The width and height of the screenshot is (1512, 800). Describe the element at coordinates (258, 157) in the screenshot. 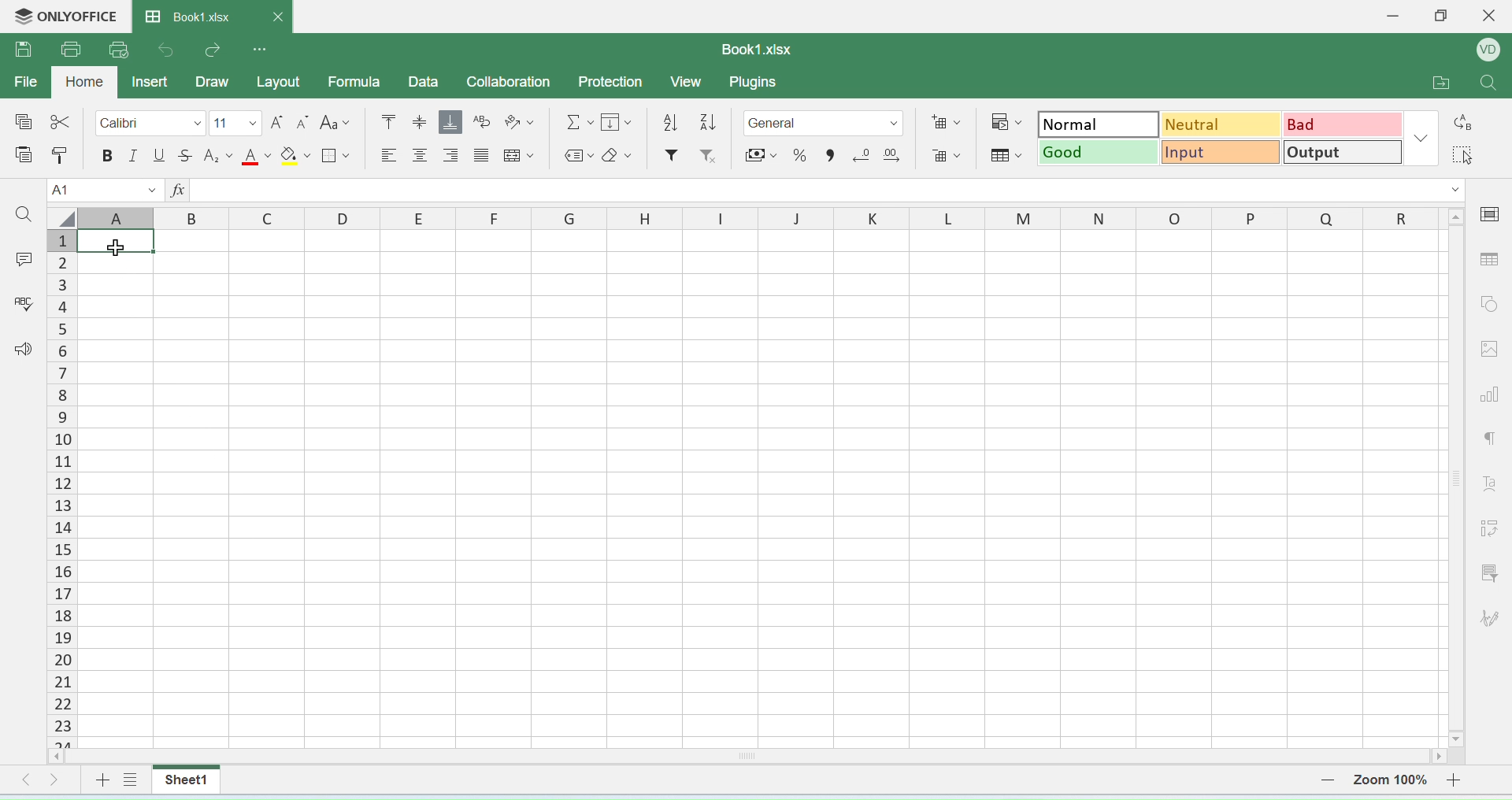

I see `` at that location.